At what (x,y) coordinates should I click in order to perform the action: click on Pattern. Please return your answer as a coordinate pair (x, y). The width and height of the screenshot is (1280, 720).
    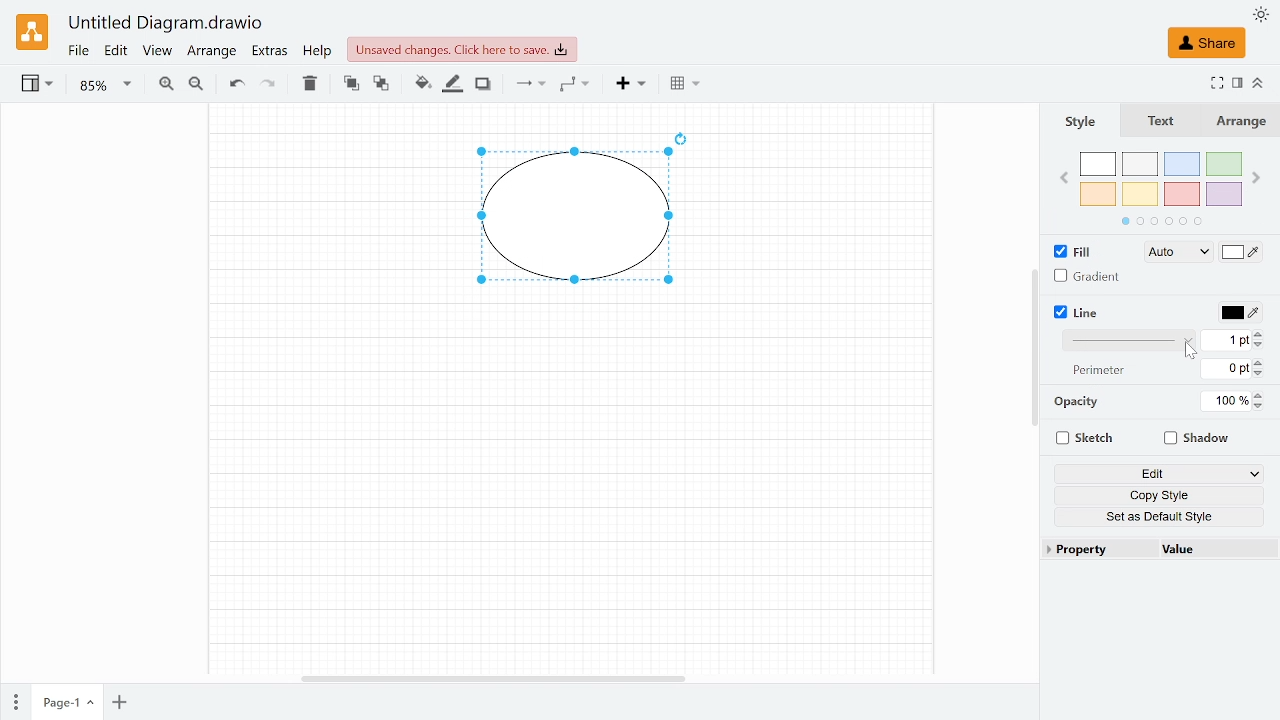
    Looking at the image, I should click on (1128, 341).